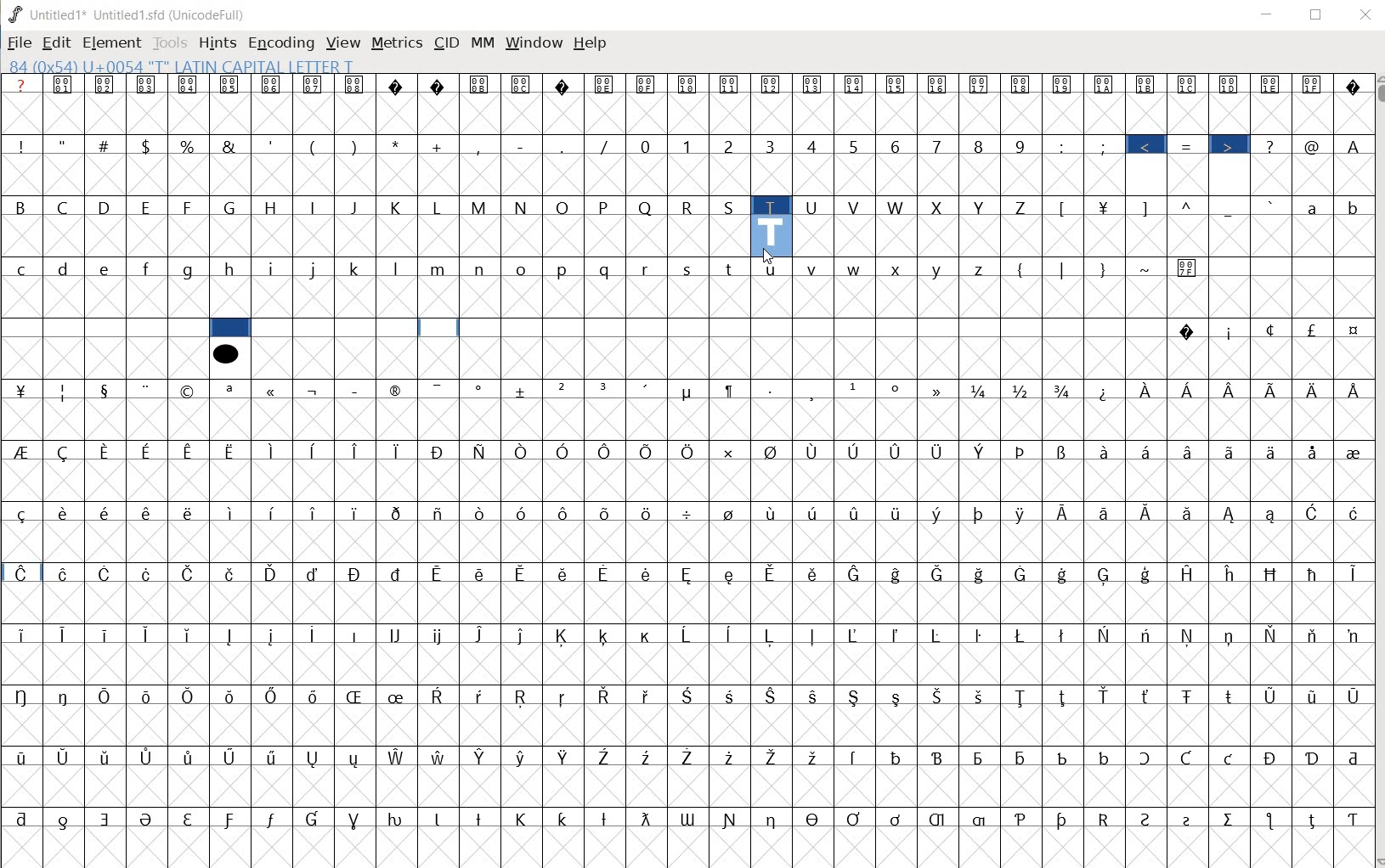  I want to click on Symbol, so click(896, 451).